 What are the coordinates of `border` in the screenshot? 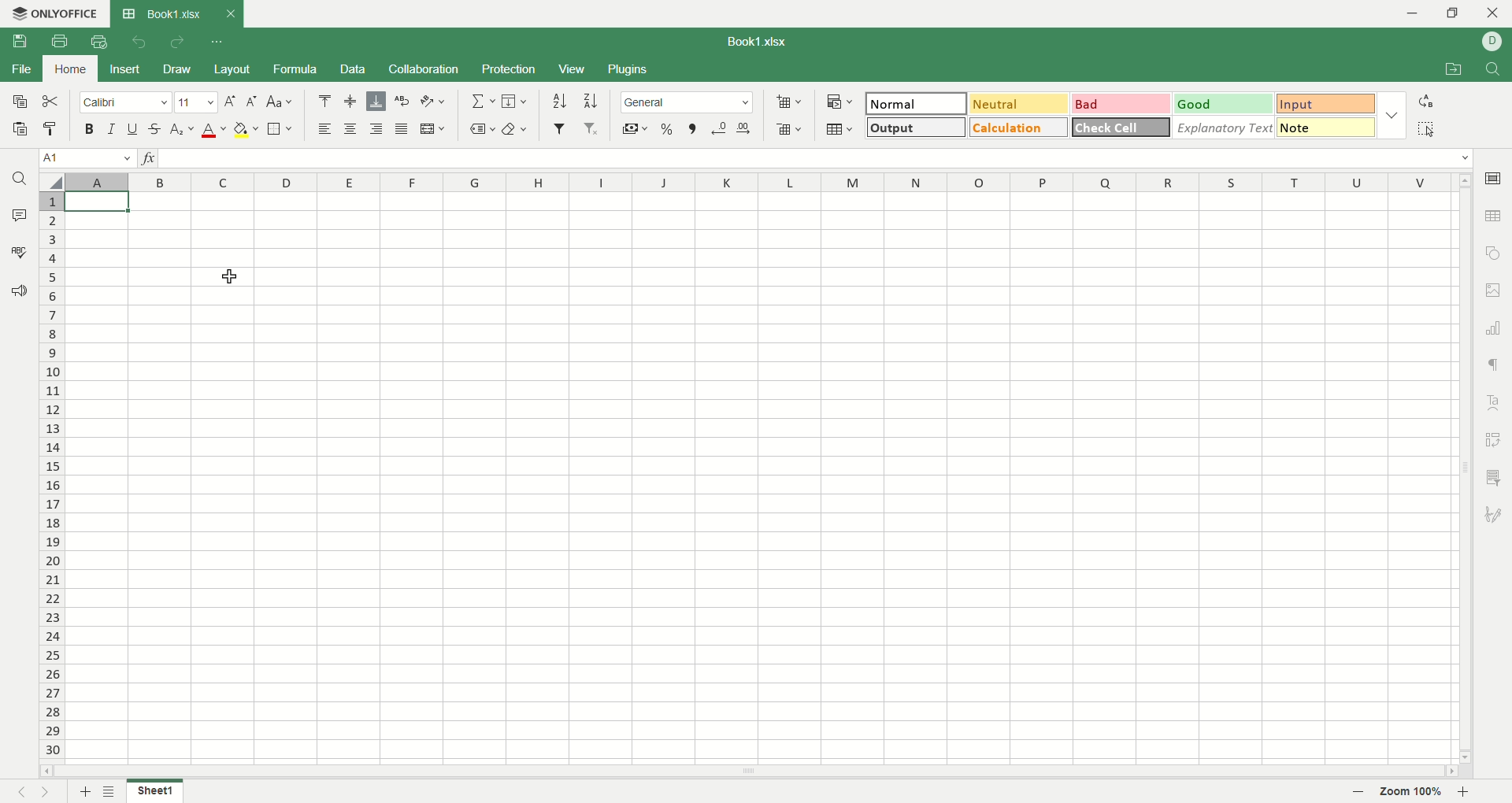 It's located at (280, 130).